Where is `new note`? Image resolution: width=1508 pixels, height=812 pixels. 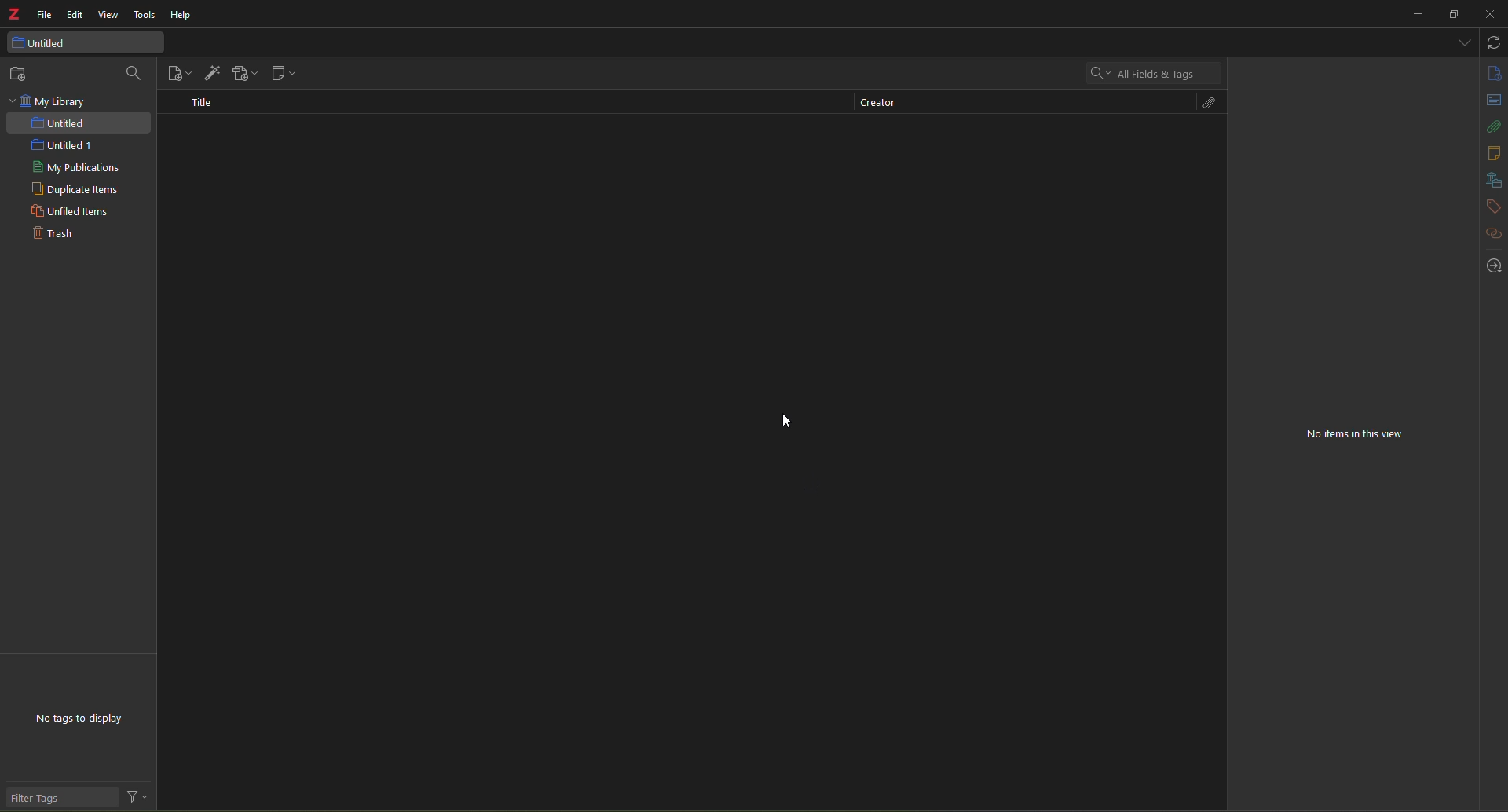
new note is located at coordinates (281, 75).